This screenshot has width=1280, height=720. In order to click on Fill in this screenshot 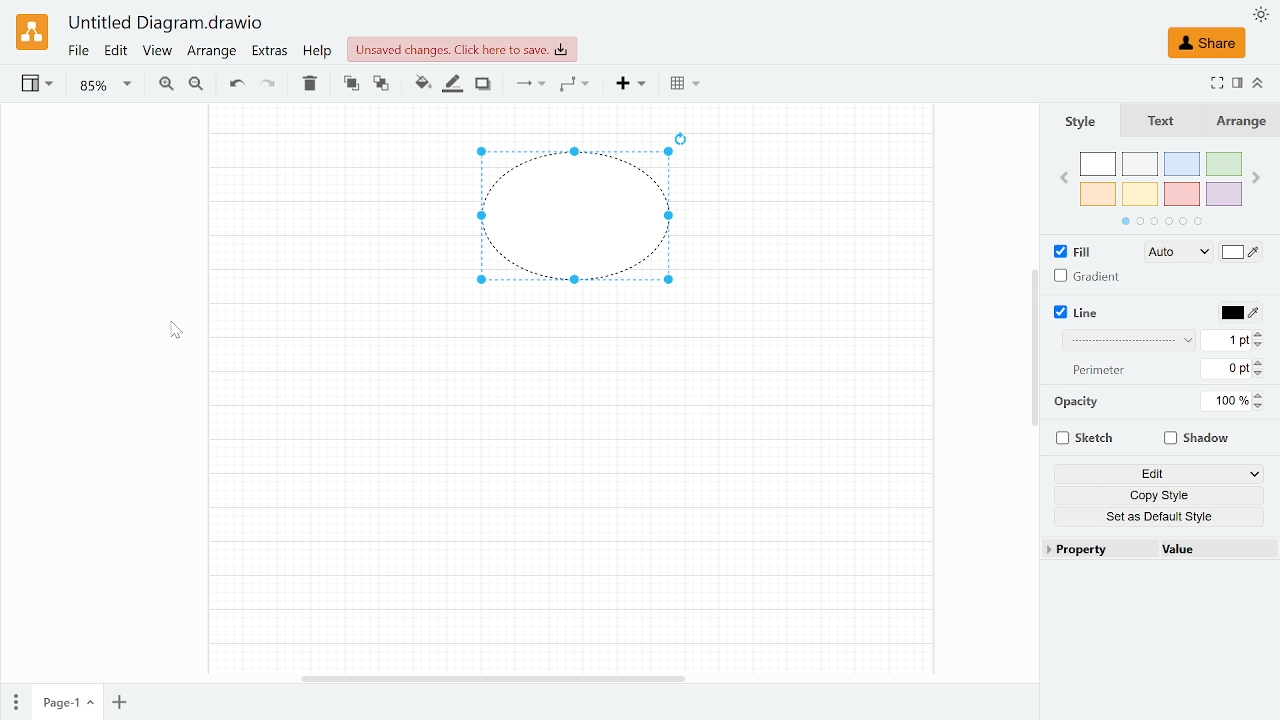, I will do `click(1070, 251)`.